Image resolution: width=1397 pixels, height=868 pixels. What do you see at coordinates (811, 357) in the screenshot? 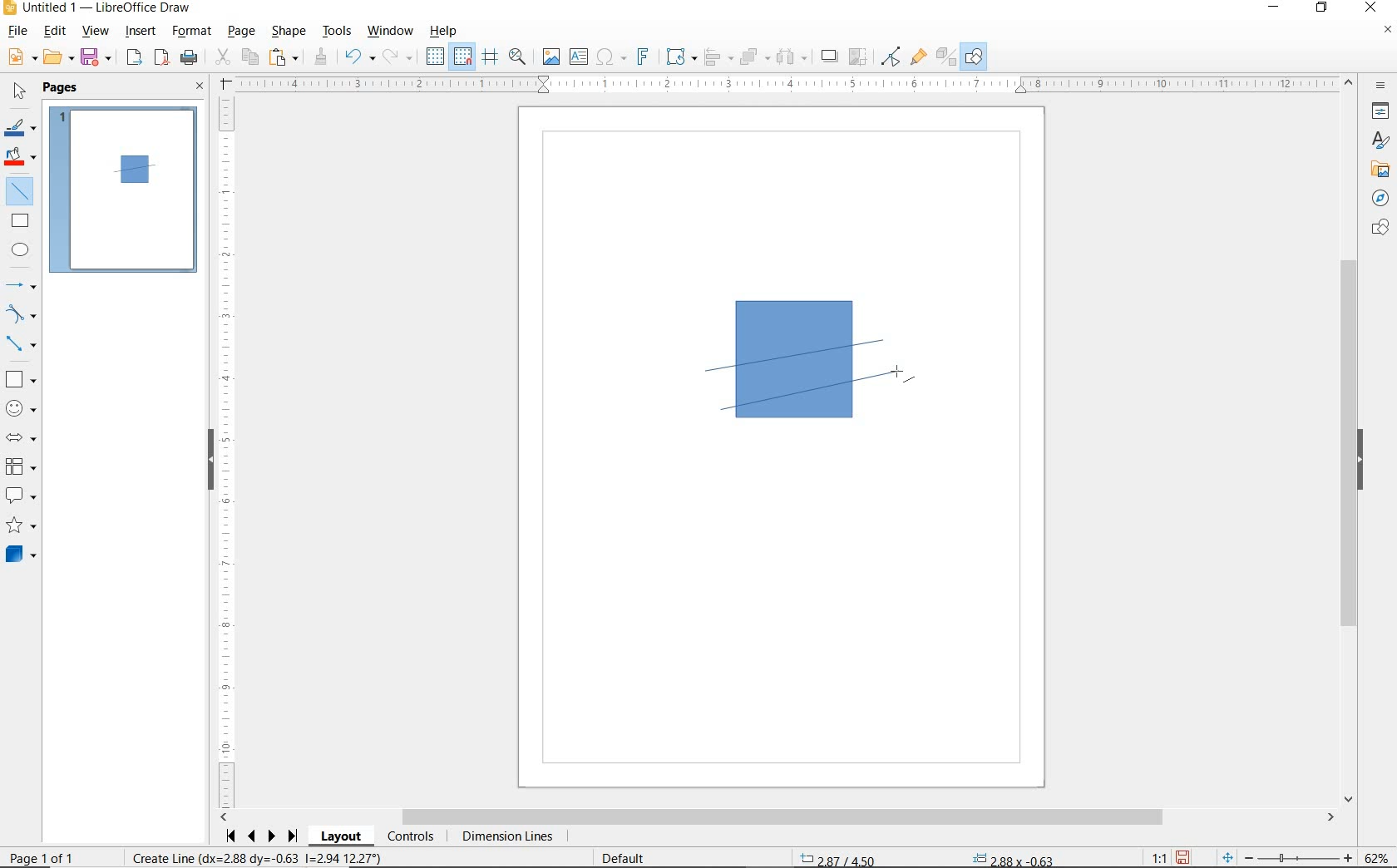
I see `LINE` at bounding box center [811, 357].